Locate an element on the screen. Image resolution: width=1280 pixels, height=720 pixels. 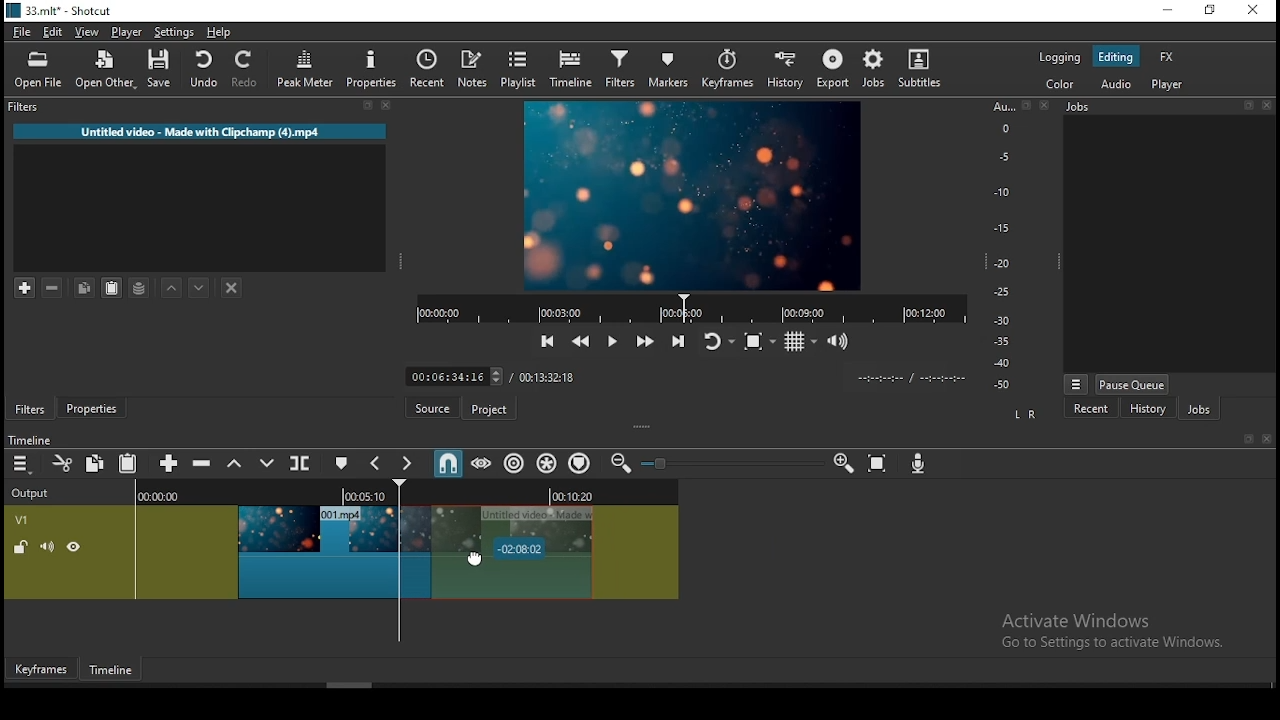
toggle zoom is located at coordinates (759, 341).